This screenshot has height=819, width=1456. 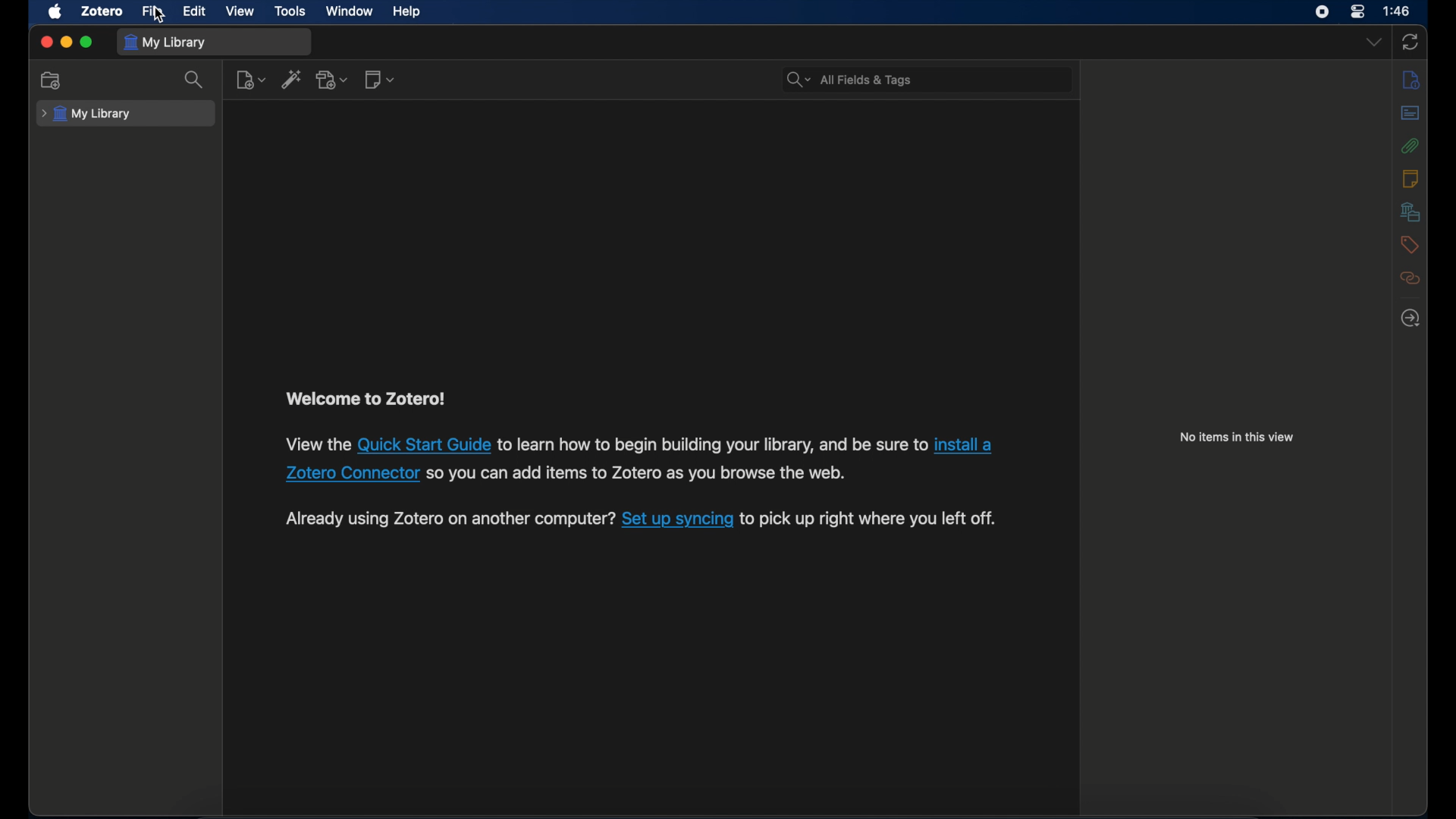 I want to click on to pick up right where you left off., so click(x=869, y=520).